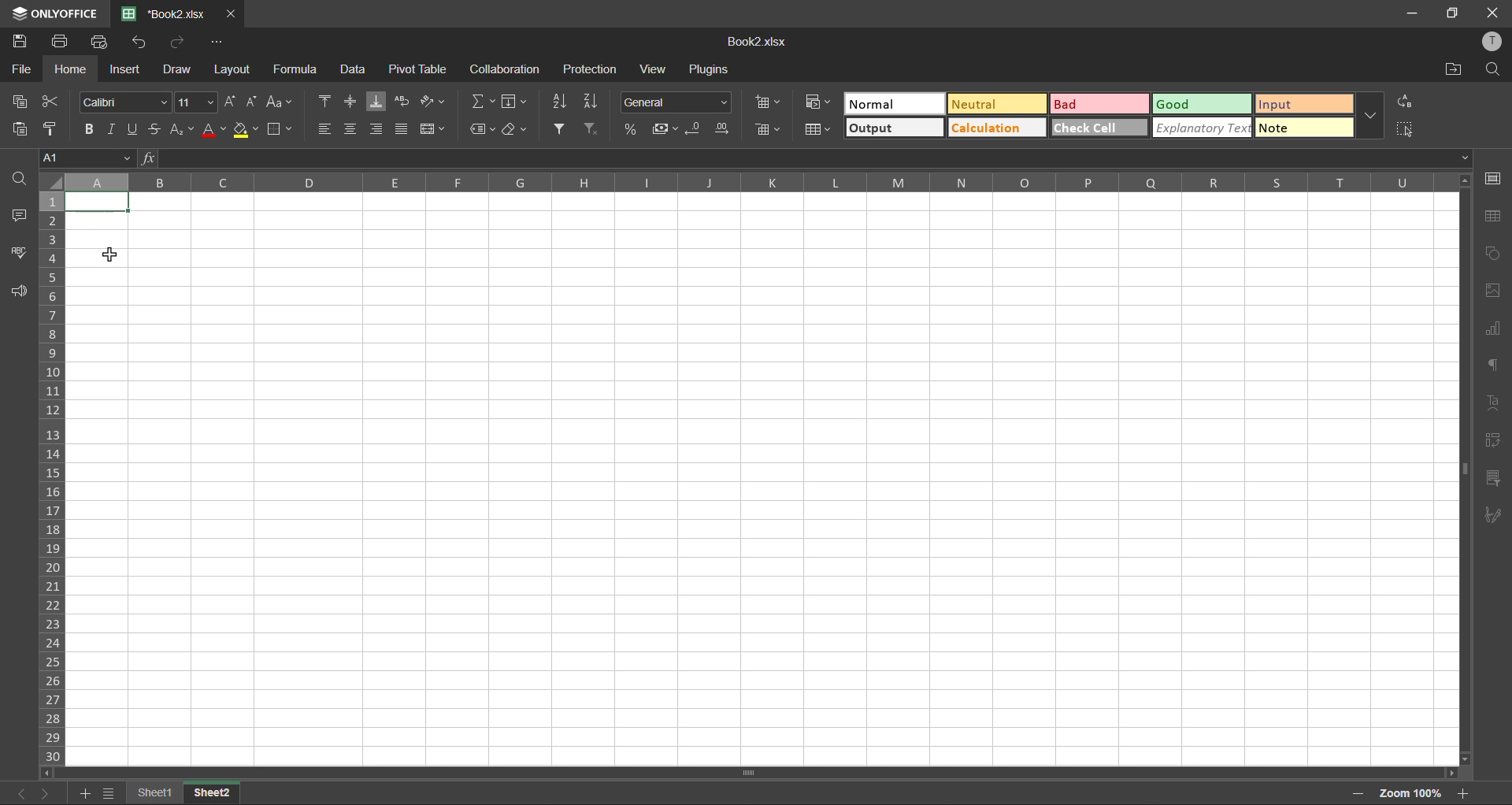  What do you see at coordinates (1306, 127) in the screenshot?
I see `note` at bounding box center [1306, 127].